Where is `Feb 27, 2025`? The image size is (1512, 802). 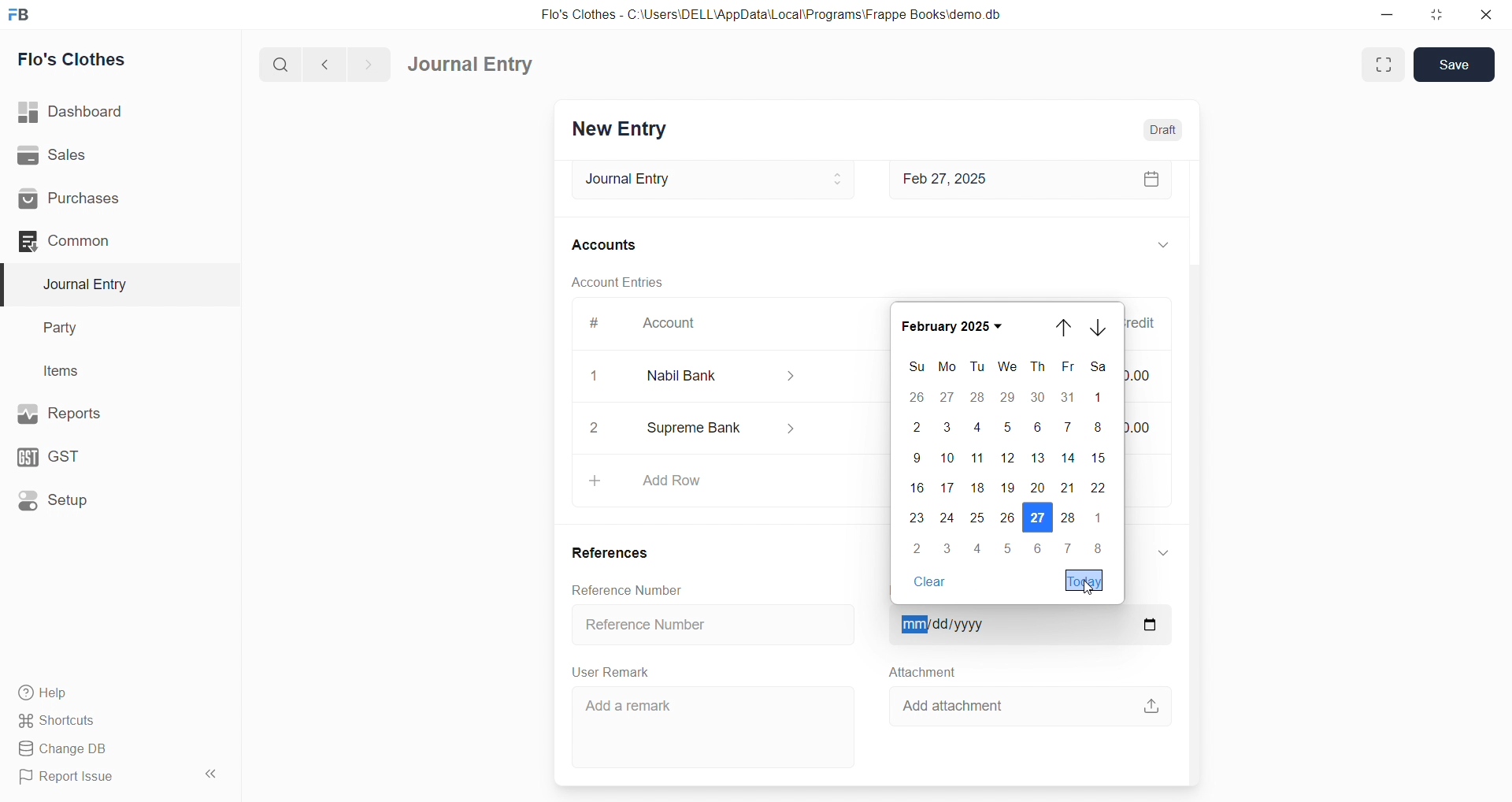
Feb 27, 2025 is located at coordinates (1032, 181).